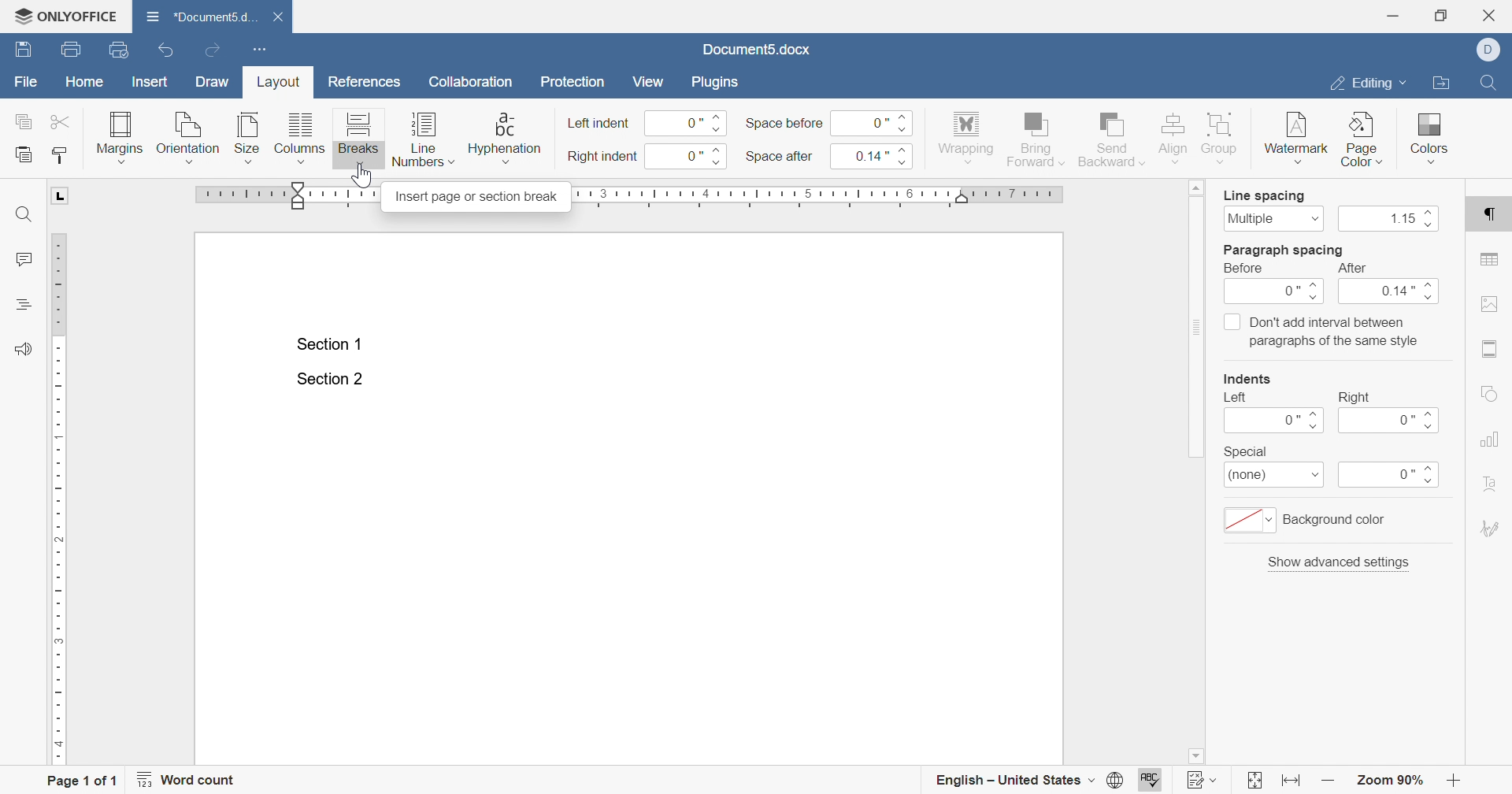 The width and height of the screenshot is (1512, 794). I want to click on adjust margin, so click(300, 195).